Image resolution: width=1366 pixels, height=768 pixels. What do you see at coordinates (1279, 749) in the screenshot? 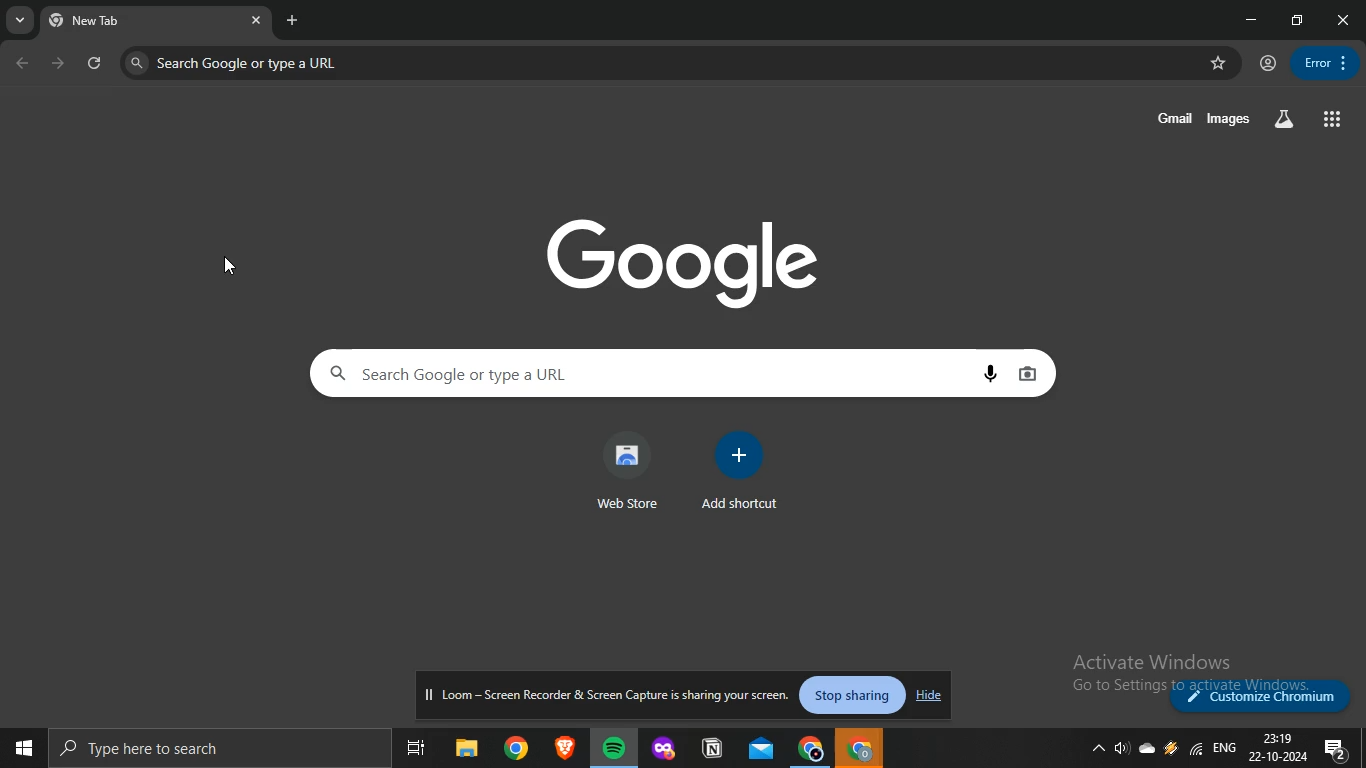
I see `23:9 22-10-2024` at bounding box center [1279, 749].